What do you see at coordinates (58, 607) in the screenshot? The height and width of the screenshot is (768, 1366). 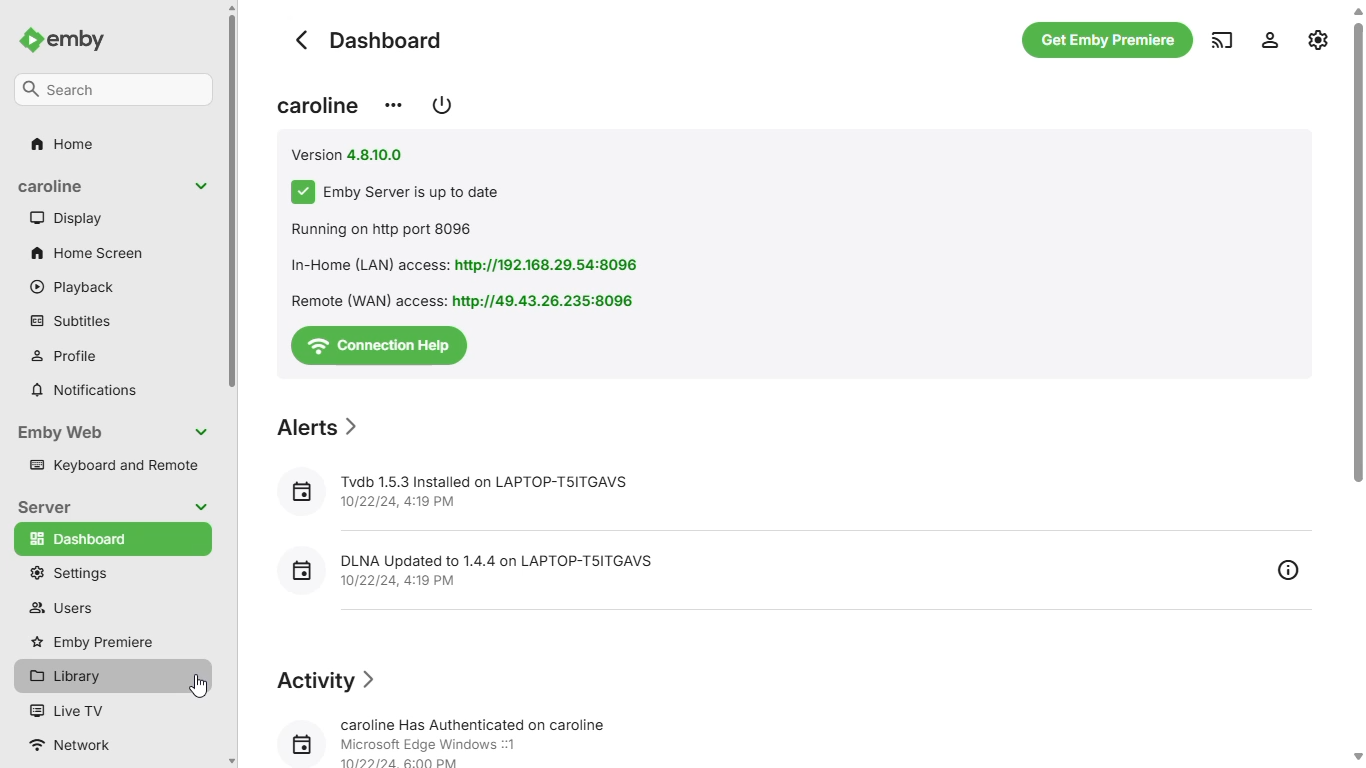 I see `users` at bounding box center [58, 607].